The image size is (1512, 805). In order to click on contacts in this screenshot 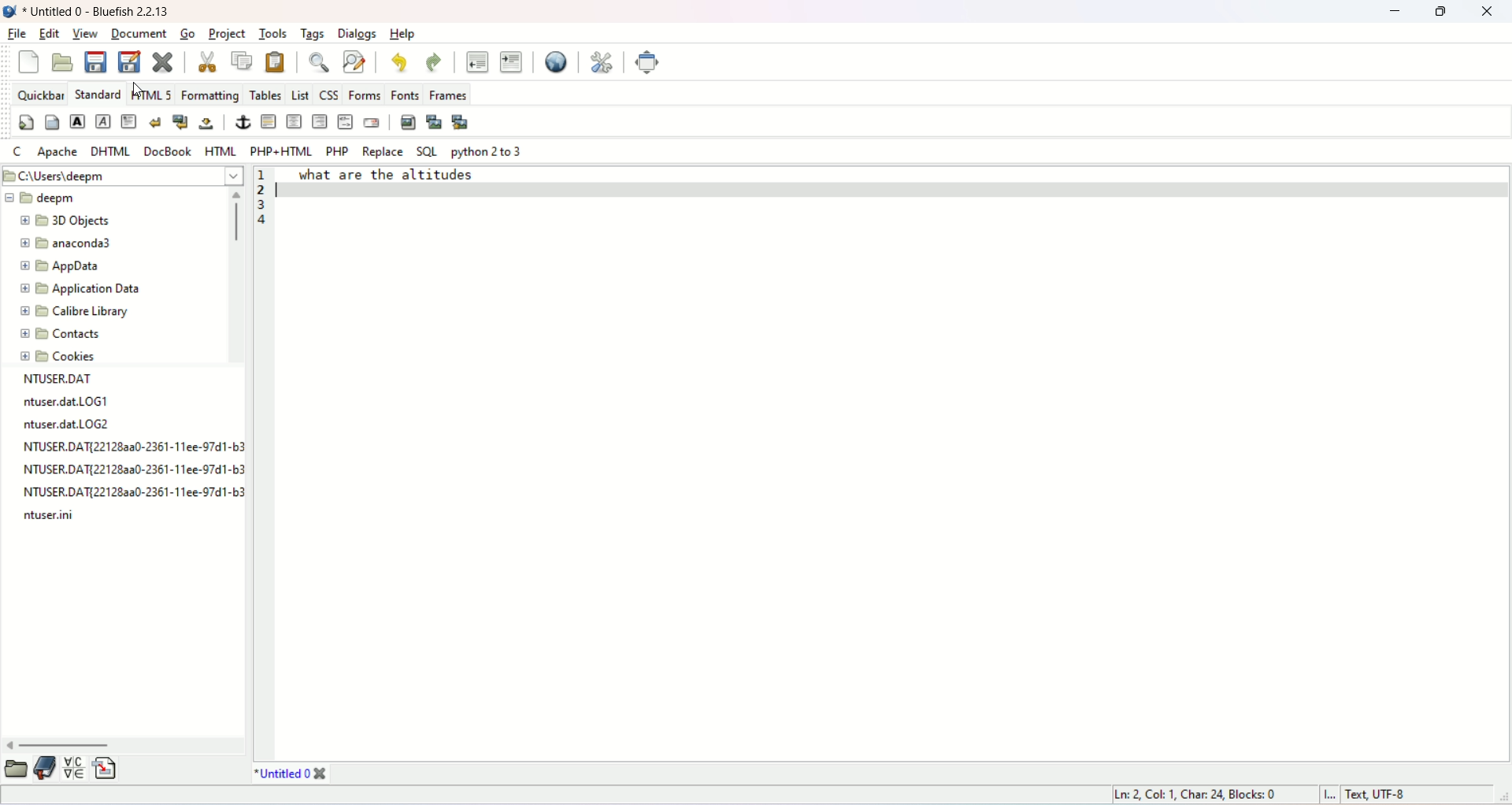, I will do `click(61, 334)`.